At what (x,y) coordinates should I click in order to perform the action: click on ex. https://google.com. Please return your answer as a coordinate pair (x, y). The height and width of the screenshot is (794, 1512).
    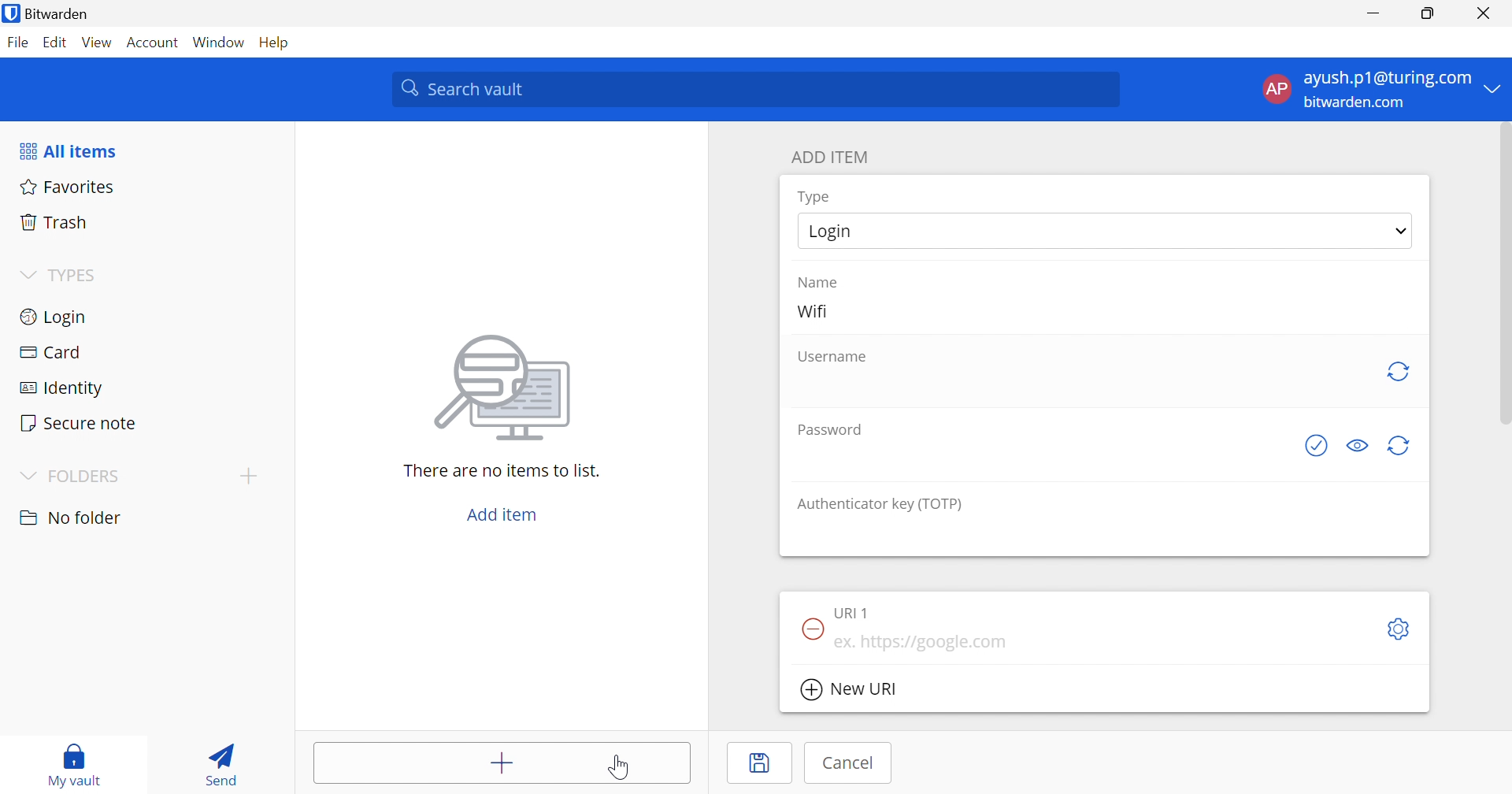
    Looking at the image, I should click on (922, 643).